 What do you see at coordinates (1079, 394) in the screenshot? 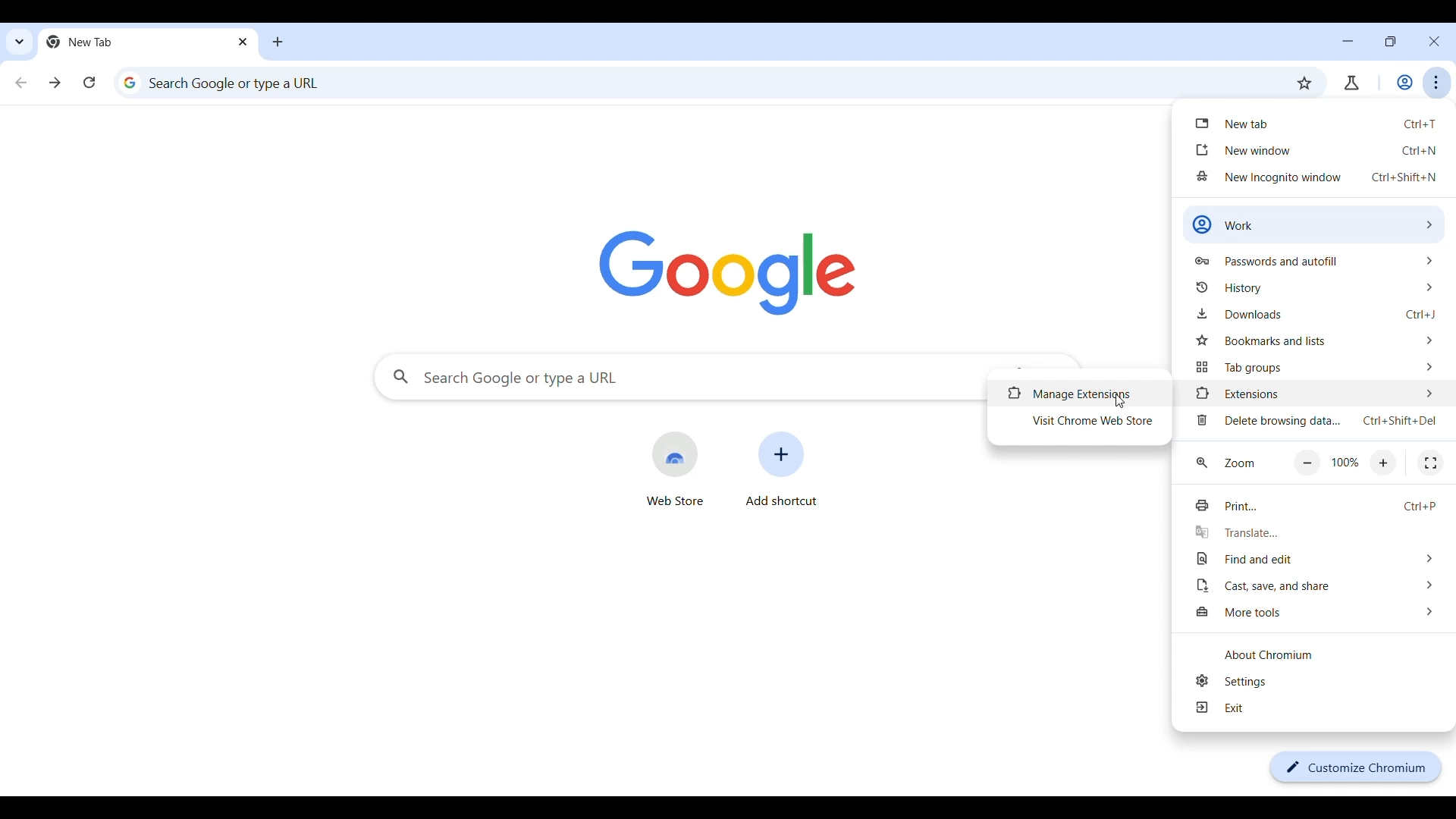
I see `Manage extensions` at bounding box center [1079, 394].